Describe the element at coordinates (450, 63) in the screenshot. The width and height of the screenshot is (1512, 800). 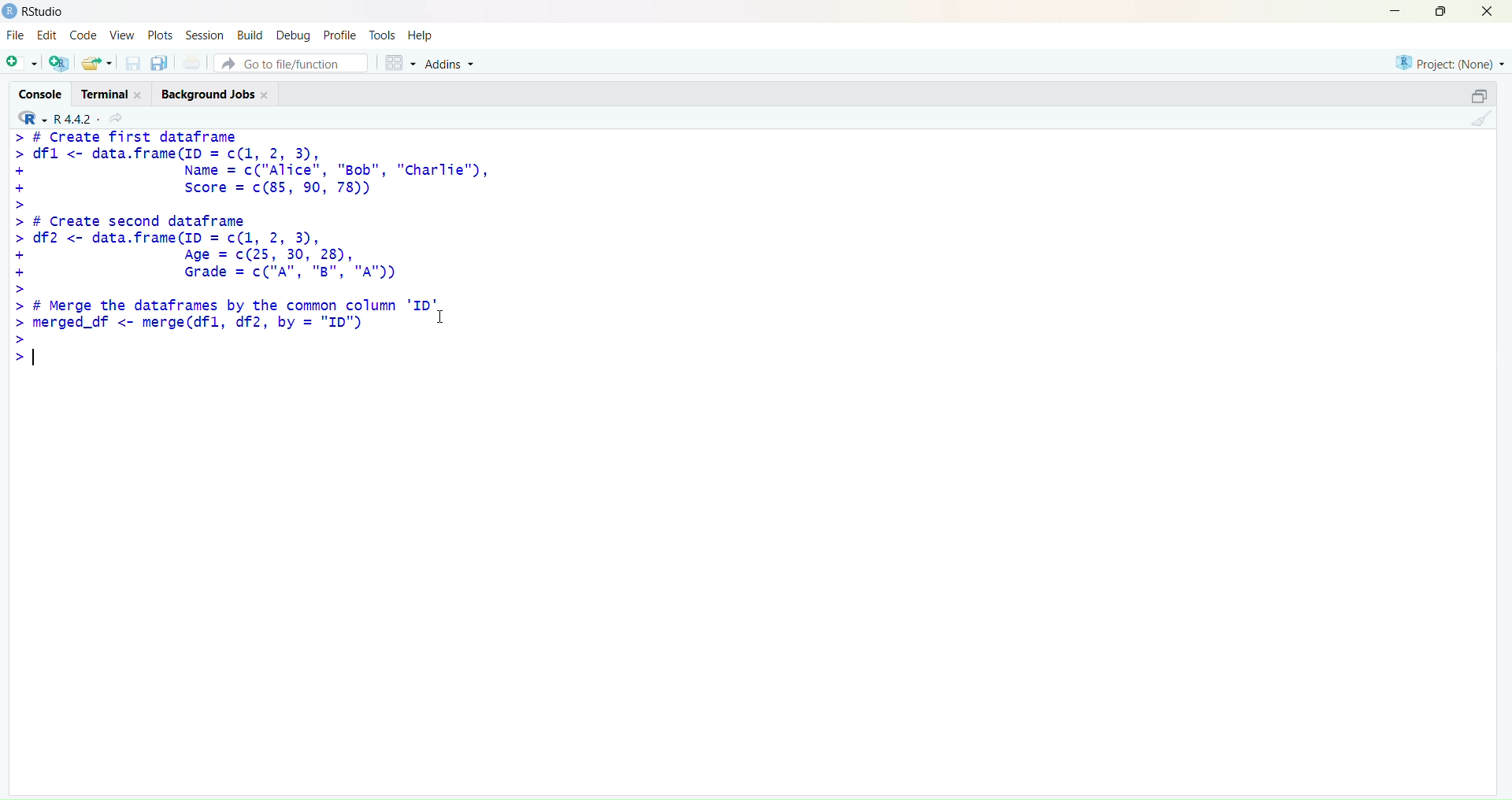
I see `Addins` at that location.